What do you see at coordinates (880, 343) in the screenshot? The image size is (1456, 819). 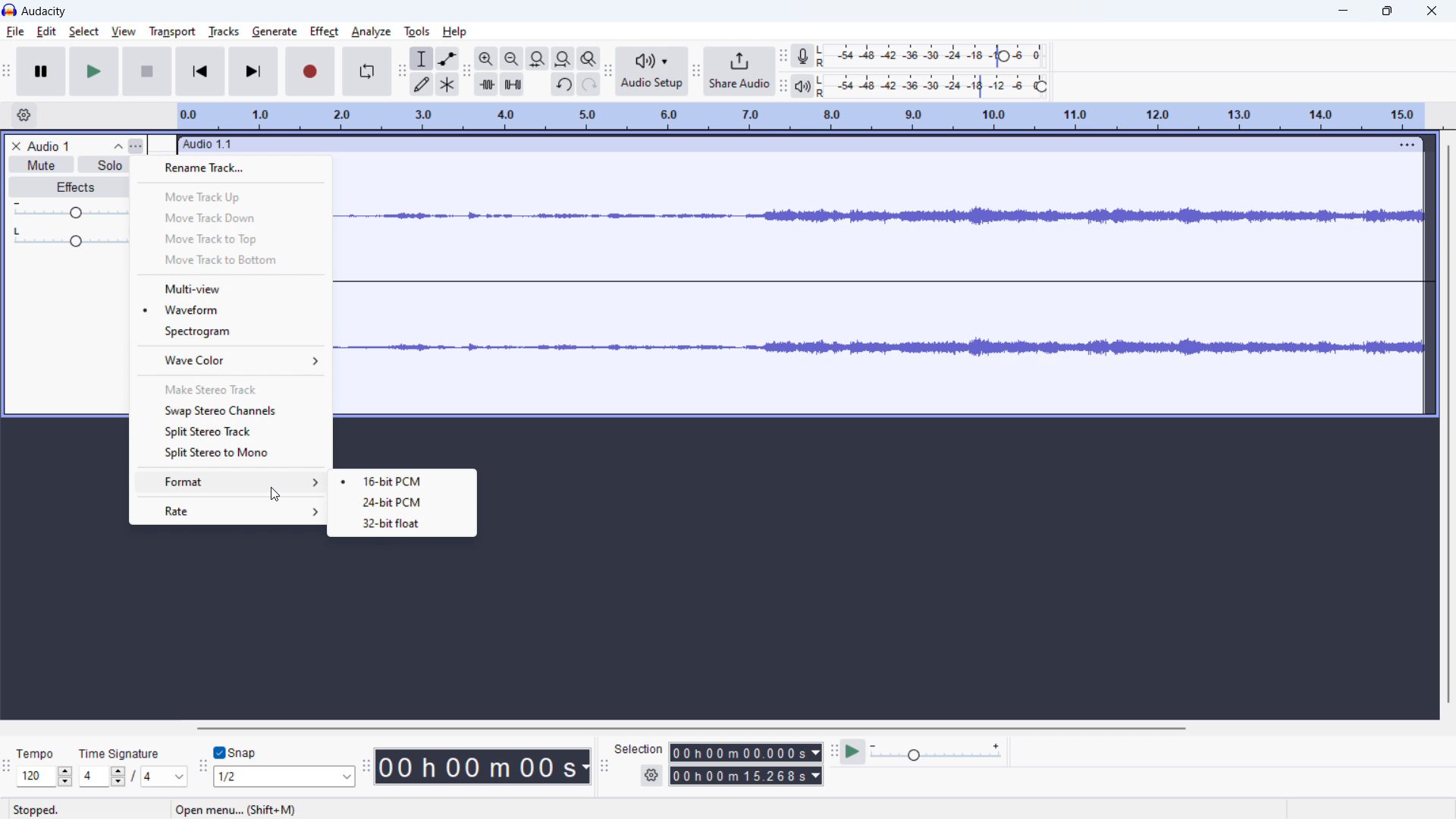 I see `Wave` at bounding box center [880, 343].